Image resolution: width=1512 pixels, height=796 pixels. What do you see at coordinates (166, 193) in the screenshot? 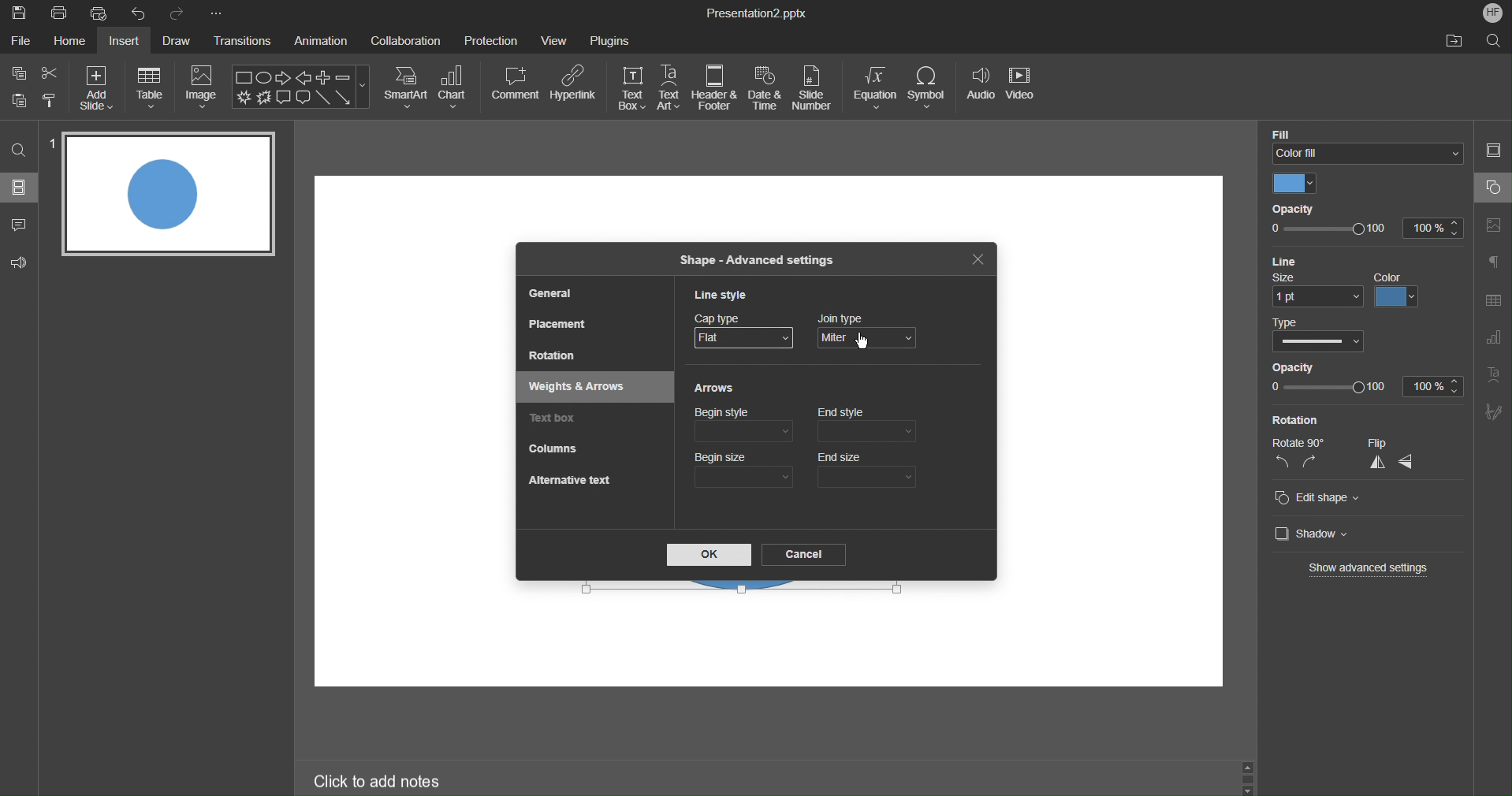
I see `Slide 1` at bounding box center [166, 193].